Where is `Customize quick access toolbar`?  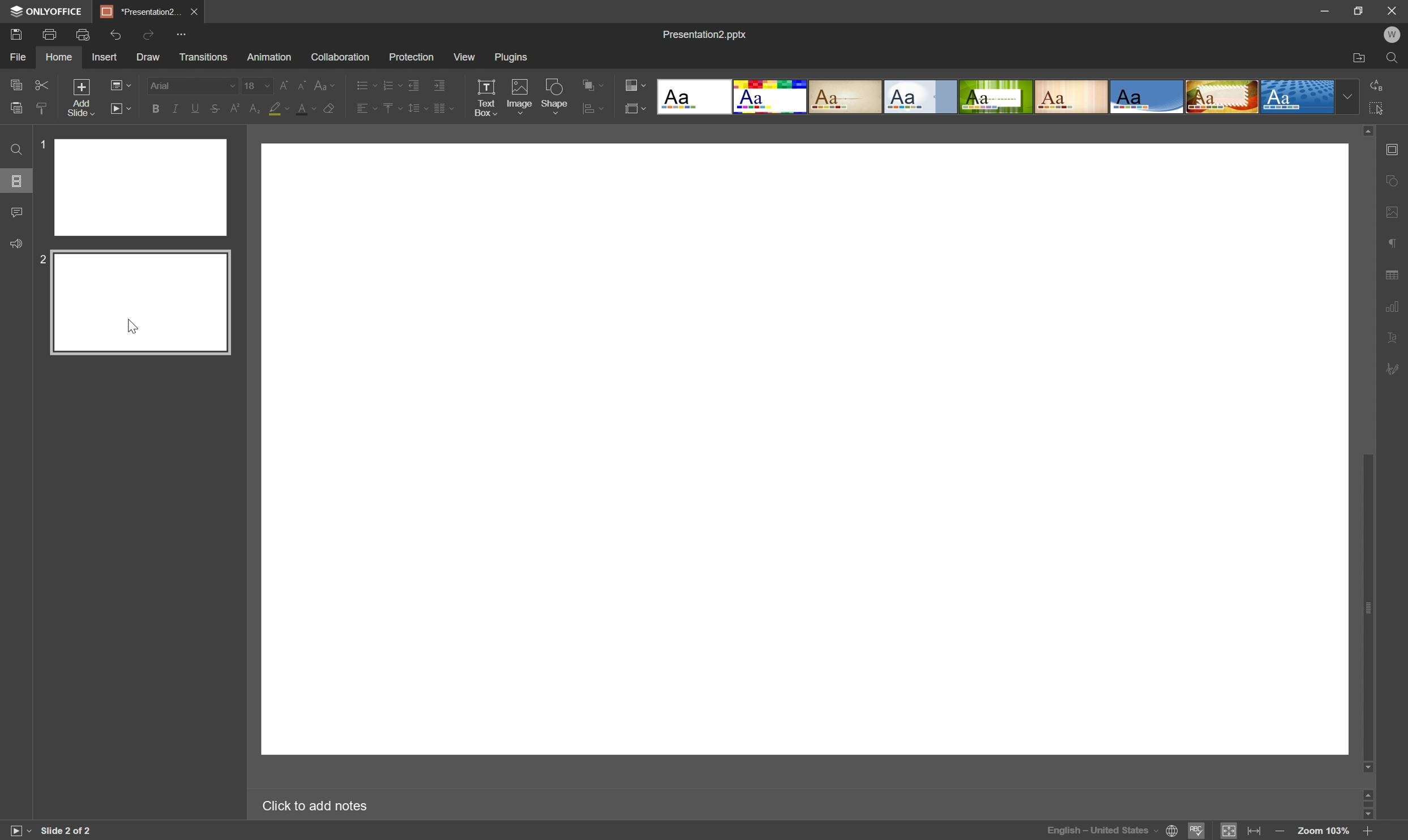
Customize quick access toolbar is located at coordinates (184, 33).